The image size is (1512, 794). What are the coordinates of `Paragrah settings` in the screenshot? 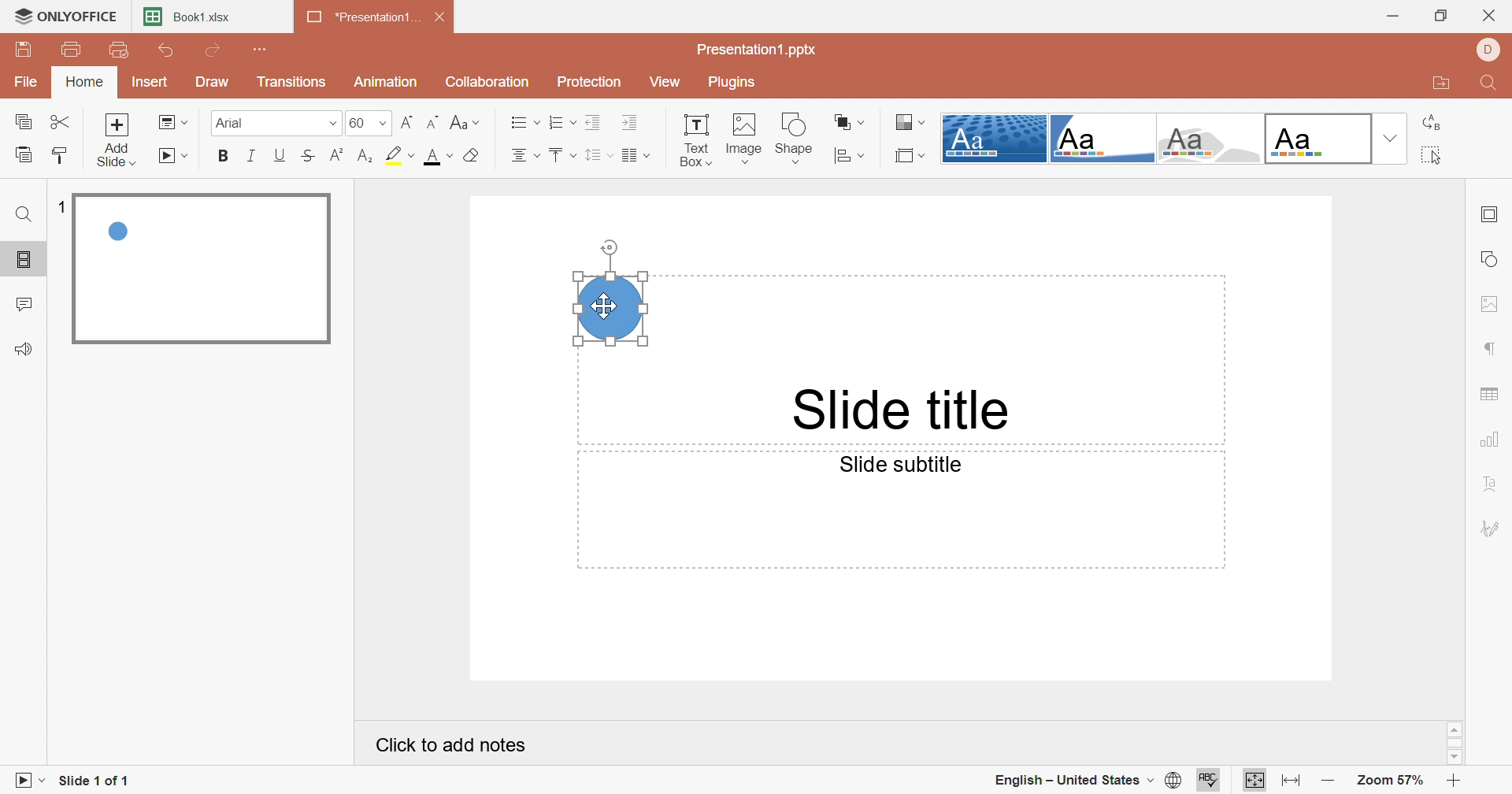 It's located at (1492, 347).